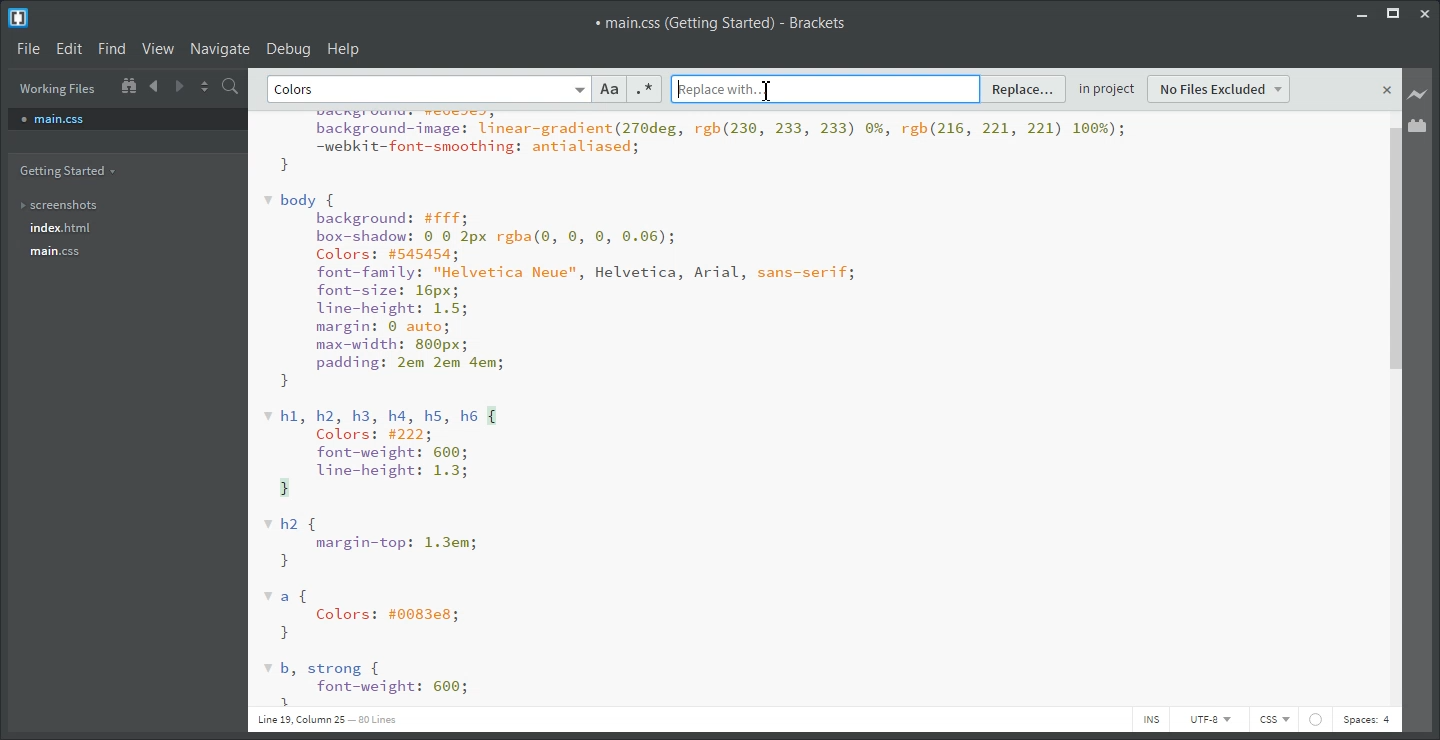  What do you see at coordinates (71, 228) in the screenshot?
I see `index.html` at bounding box center [71, 228].